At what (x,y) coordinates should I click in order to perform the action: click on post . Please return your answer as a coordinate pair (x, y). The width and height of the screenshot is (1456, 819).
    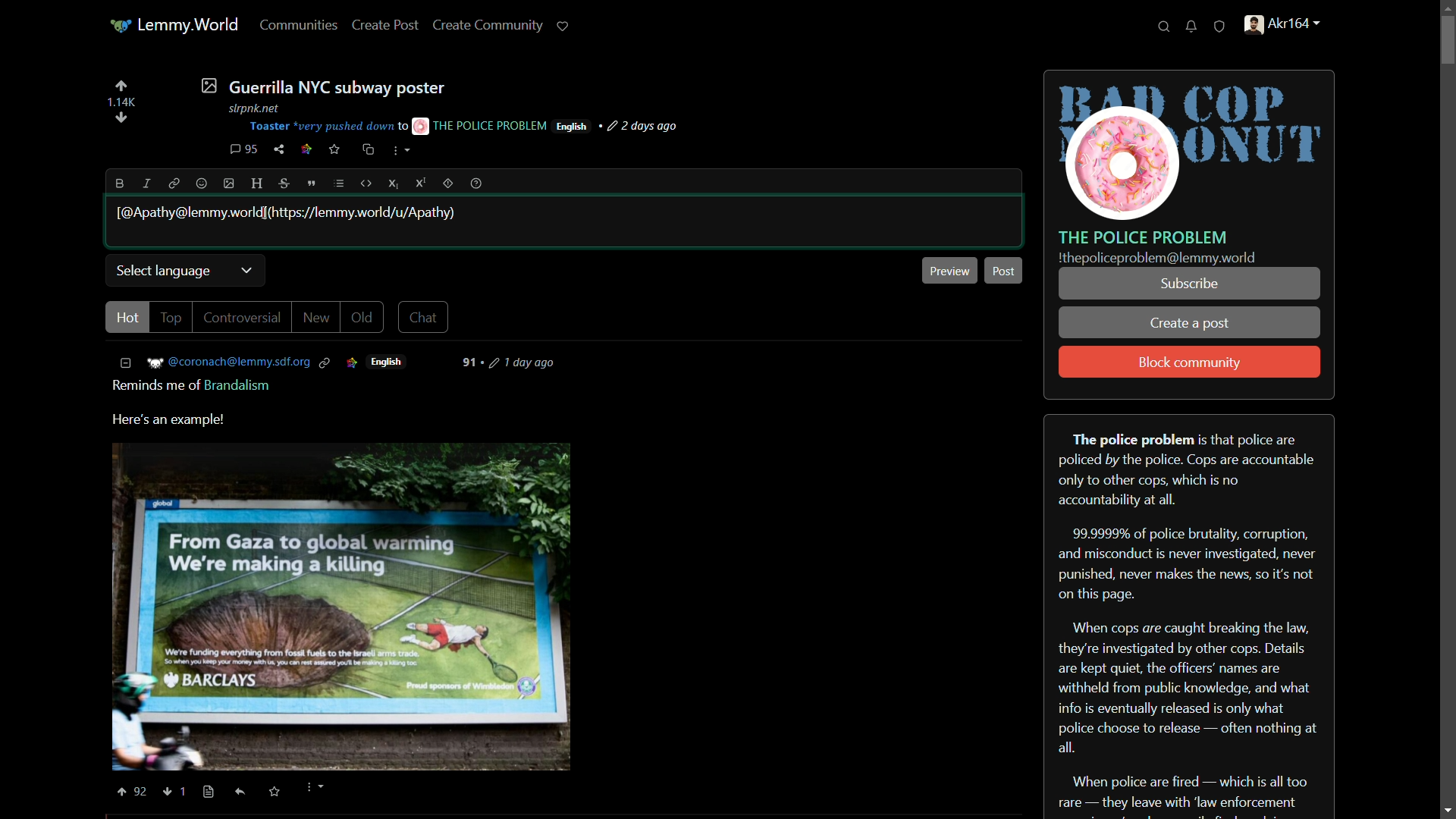
    Looking at the image, I should click on (1003, 270).